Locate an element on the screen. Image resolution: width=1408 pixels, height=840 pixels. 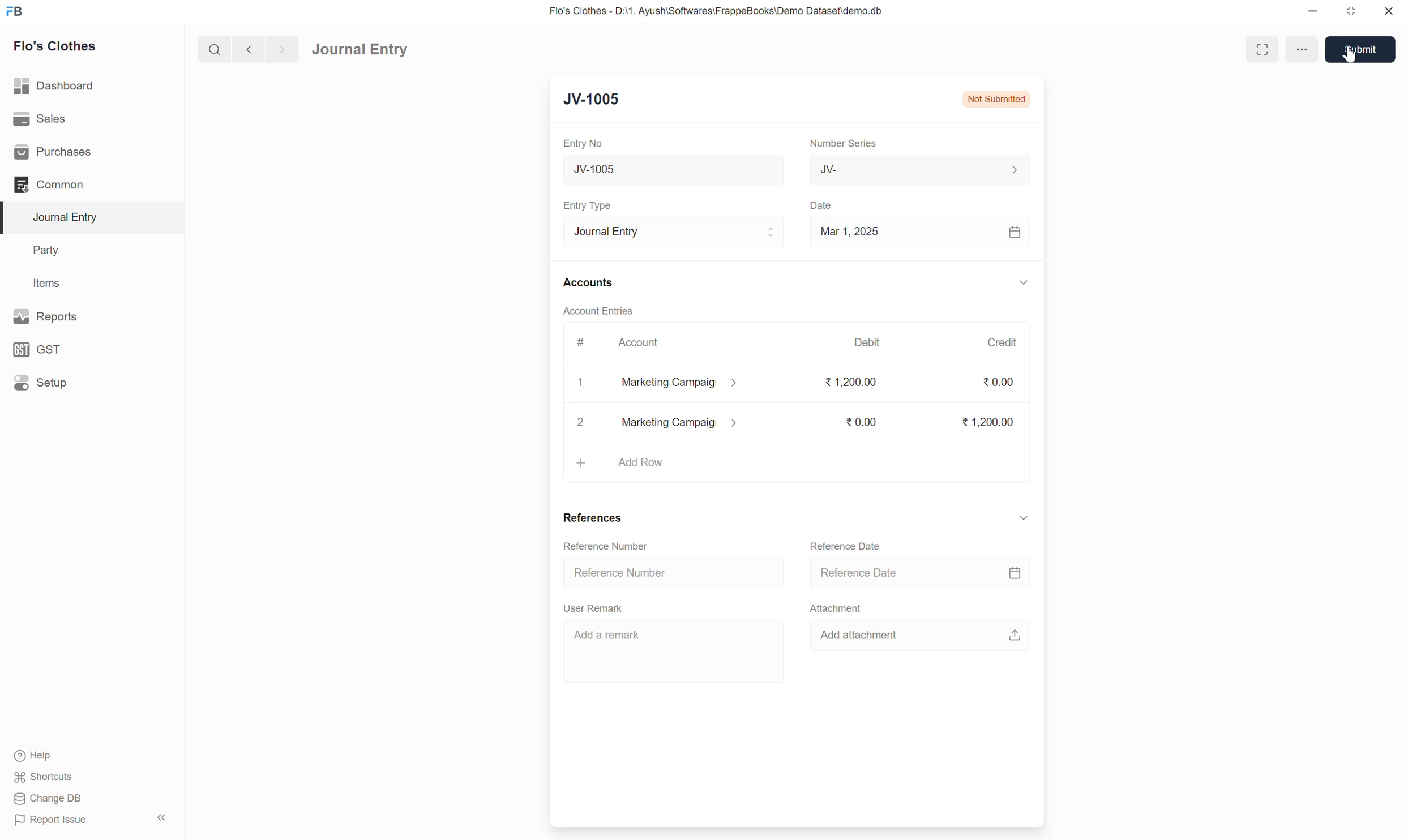
Purchases is located at coordinates (56, 152).